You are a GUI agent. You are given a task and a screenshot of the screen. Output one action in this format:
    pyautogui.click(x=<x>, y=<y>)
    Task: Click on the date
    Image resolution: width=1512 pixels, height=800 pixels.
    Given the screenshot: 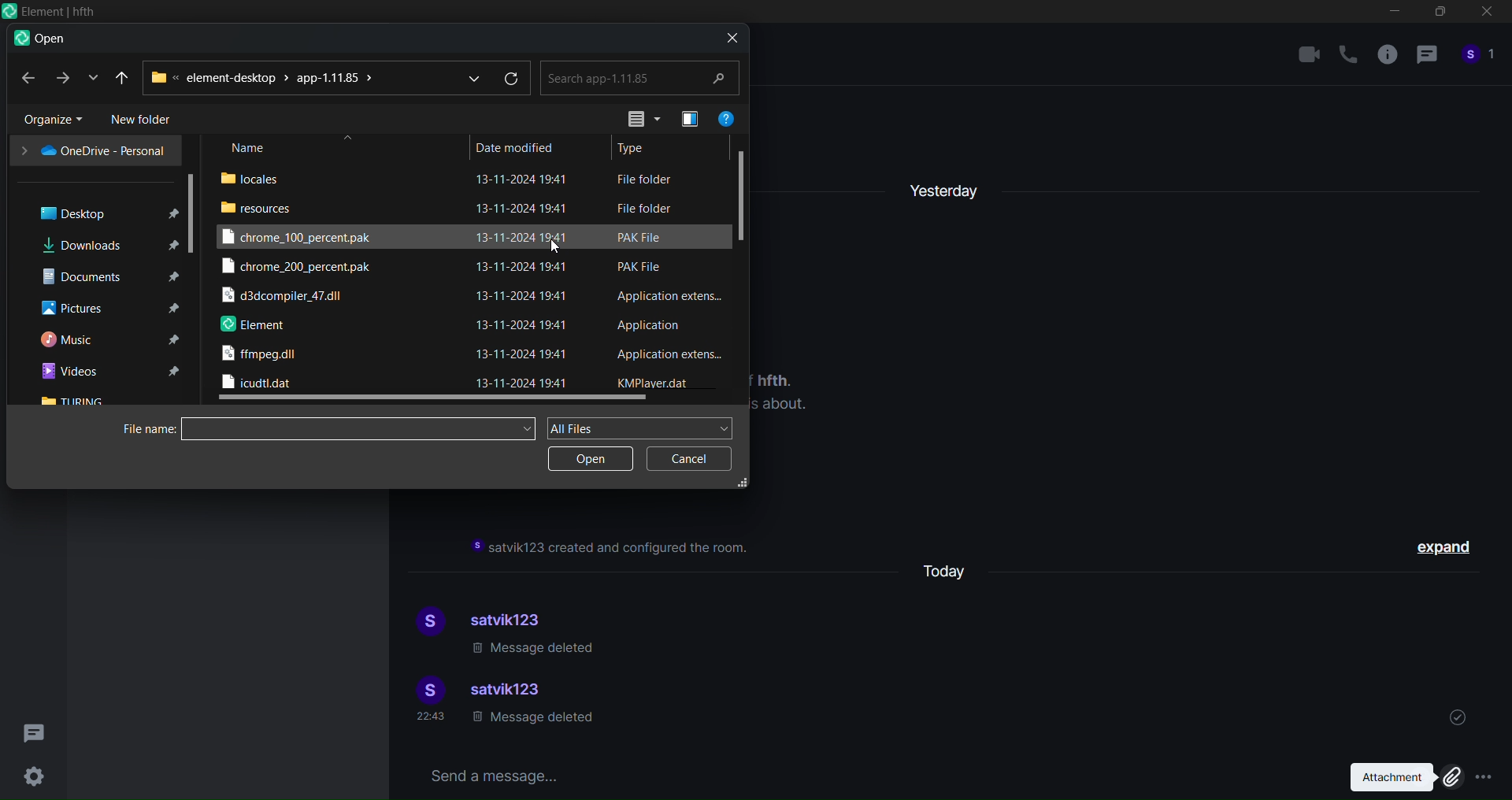 What is the action you would take?
    pyautogui.click(x=526, y=280)
    